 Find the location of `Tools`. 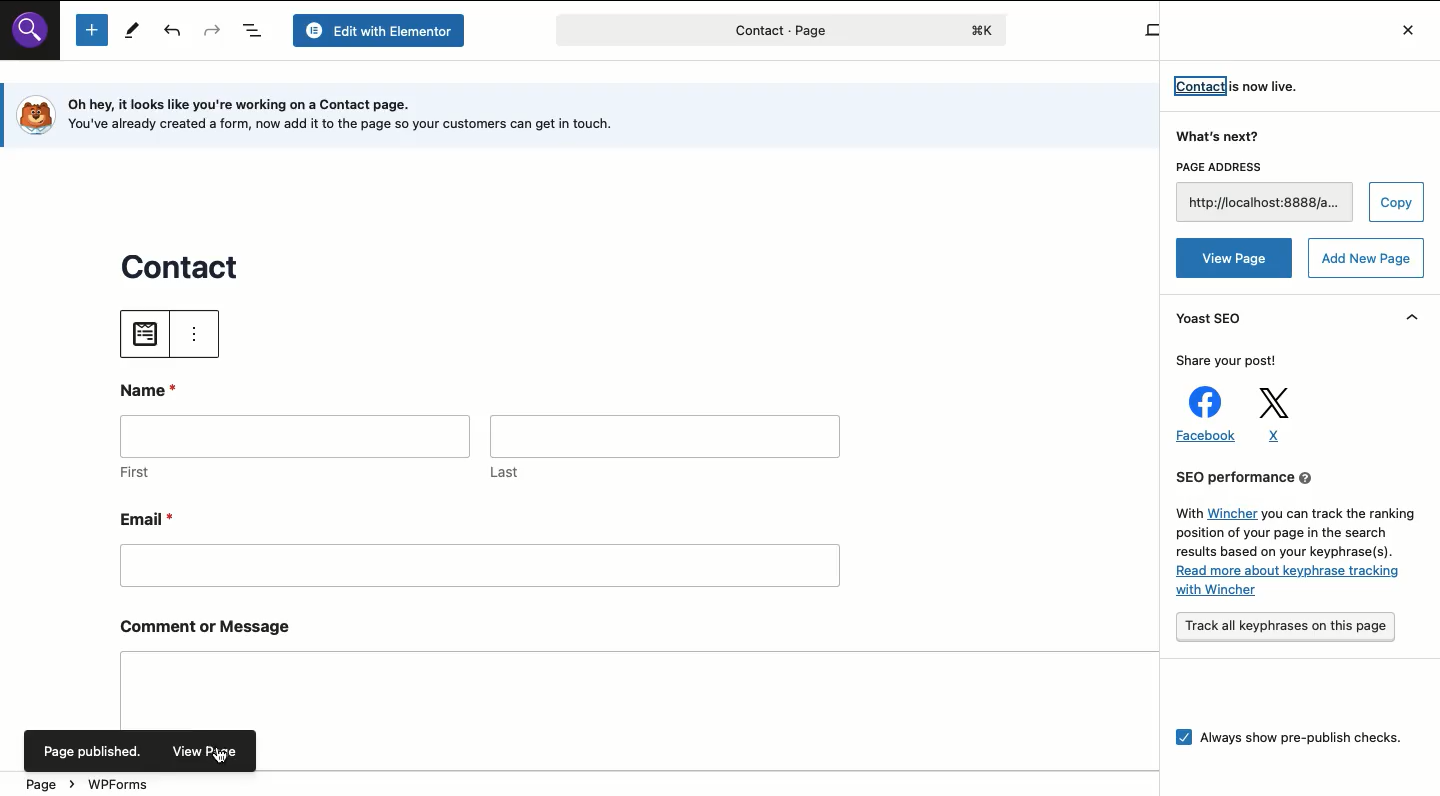

Tools is located at coordinates (130, 30).